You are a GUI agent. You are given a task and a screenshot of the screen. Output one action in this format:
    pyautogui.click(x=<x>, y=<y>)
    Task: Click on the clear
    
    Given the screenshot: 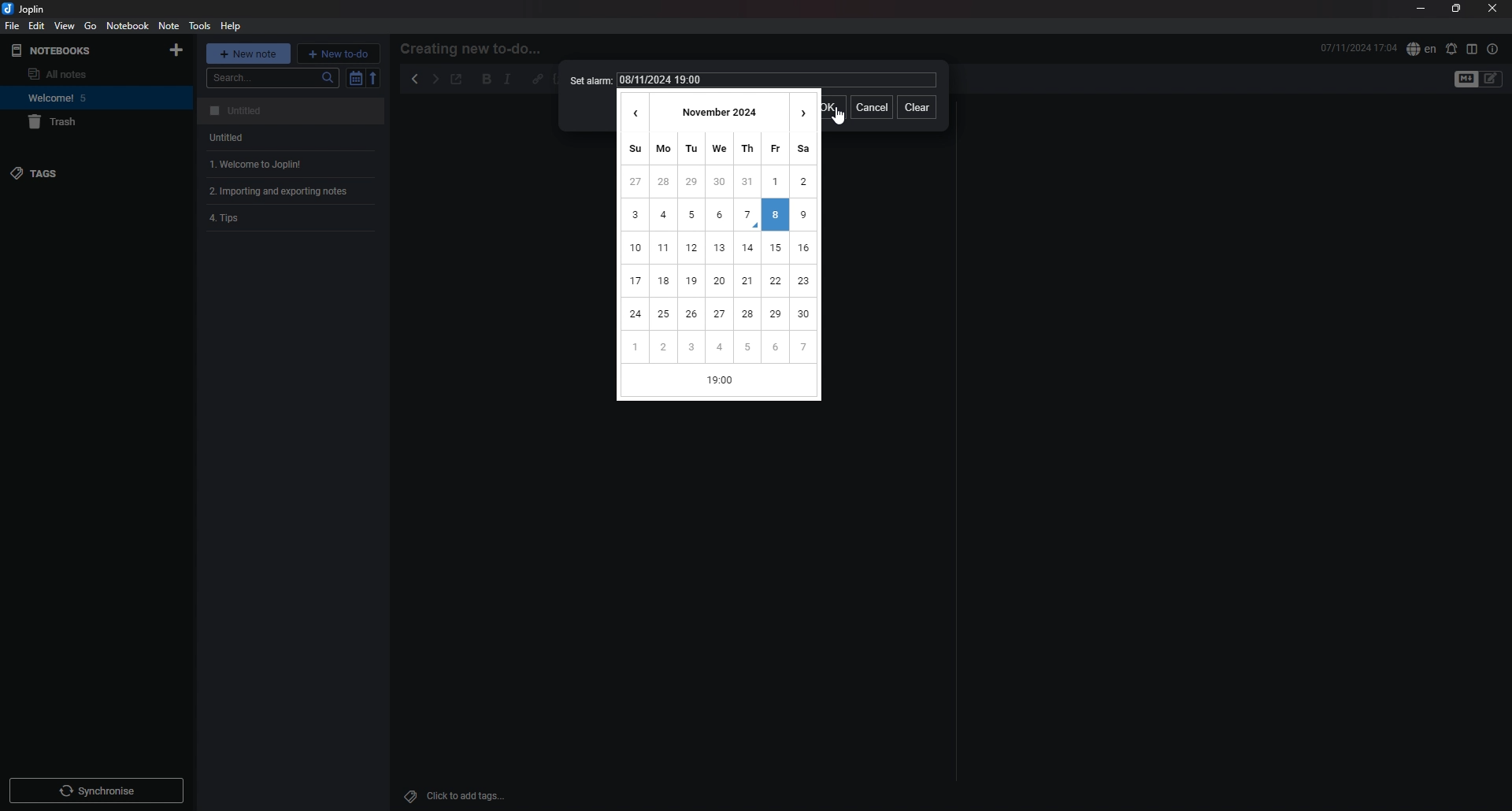 What is the action you would take?
    pyautogui.click(x=917, y=109)
    